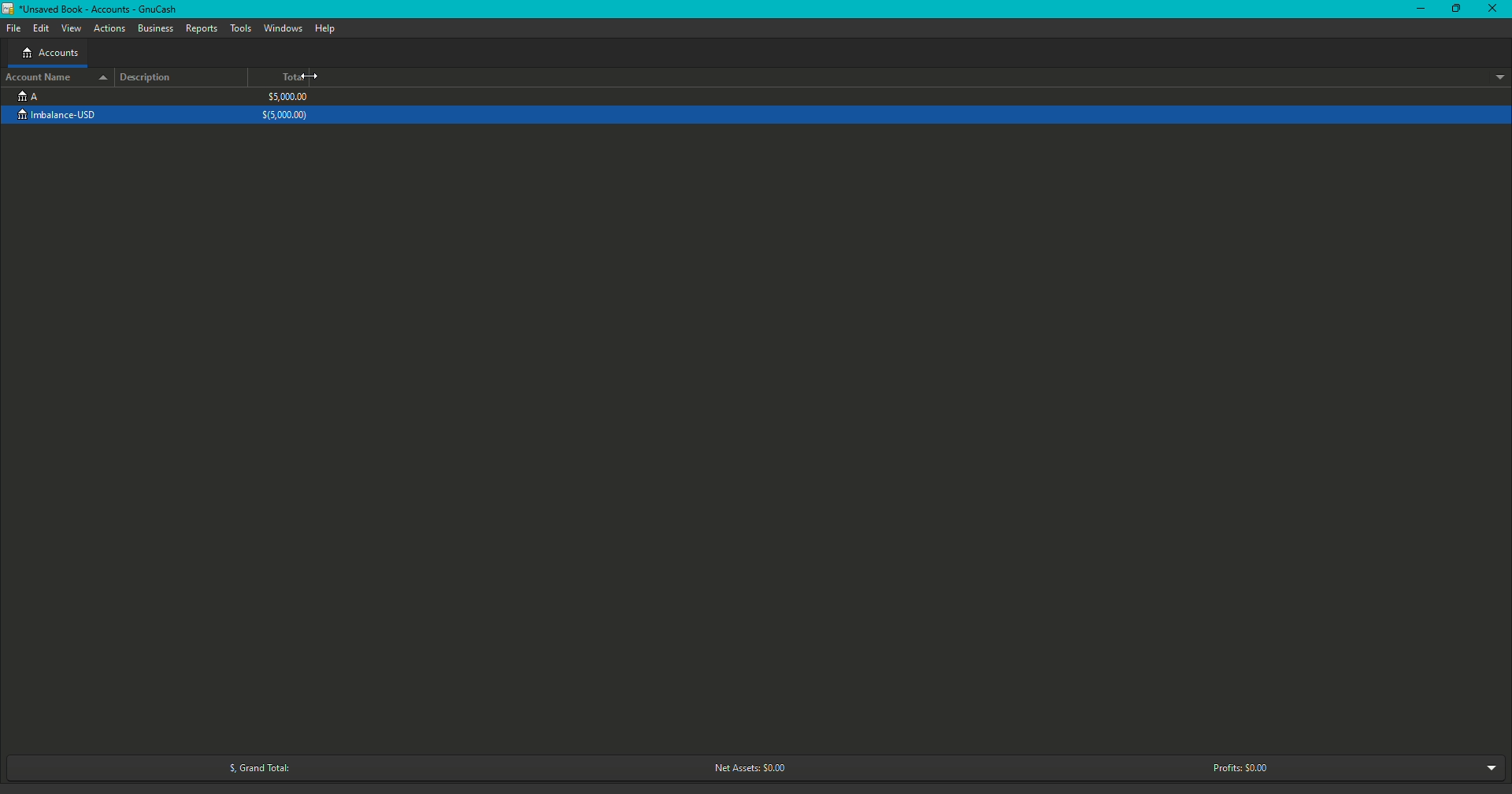 The width and height of the screenshot is (1512, 794). What do you see at coordinates (28, 95) in the screenshot?
I see `Account A` at bounding box center [28, 95].